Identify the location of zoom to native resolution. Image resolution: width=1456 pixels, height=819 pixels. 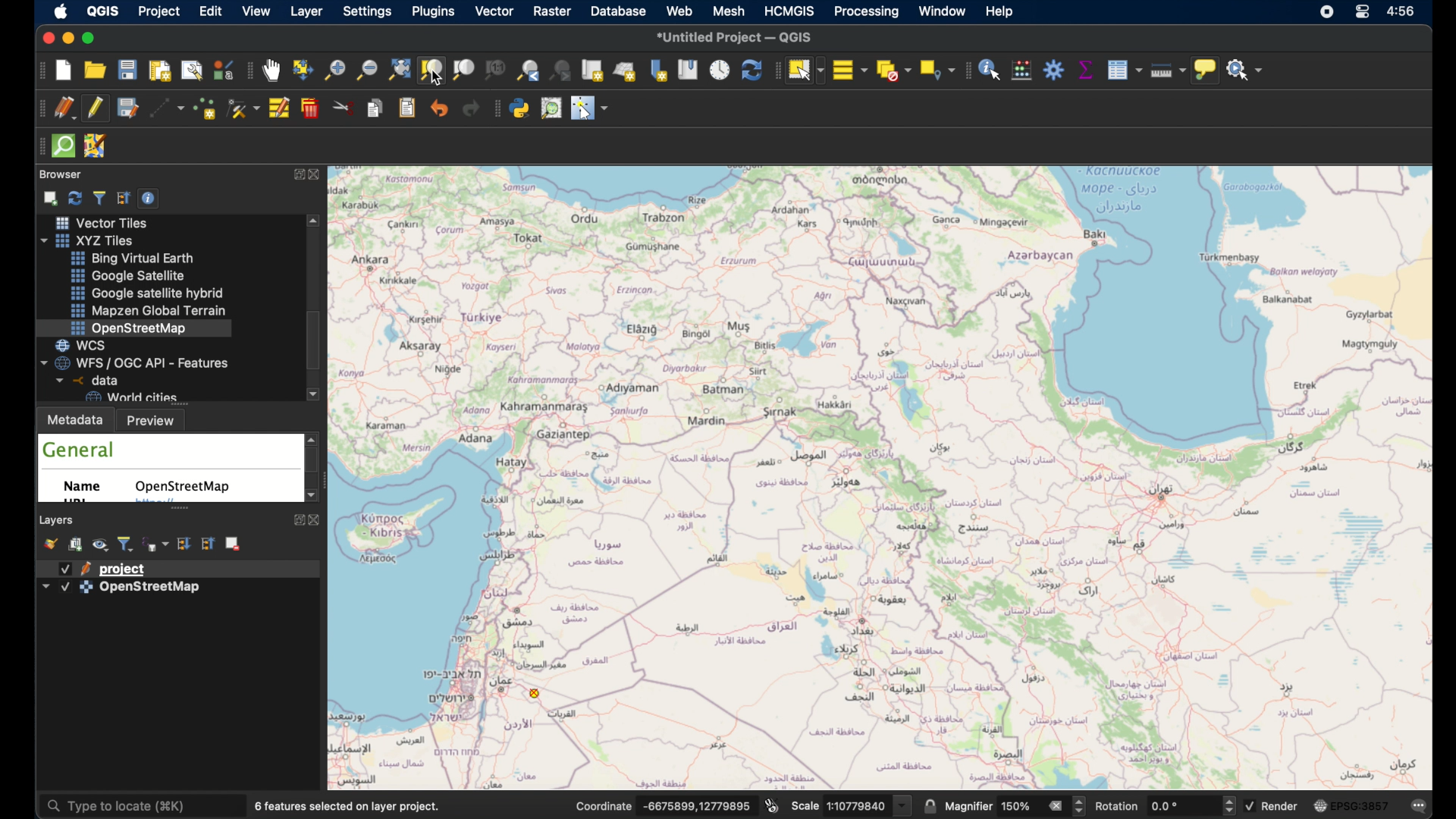
(497, 71).